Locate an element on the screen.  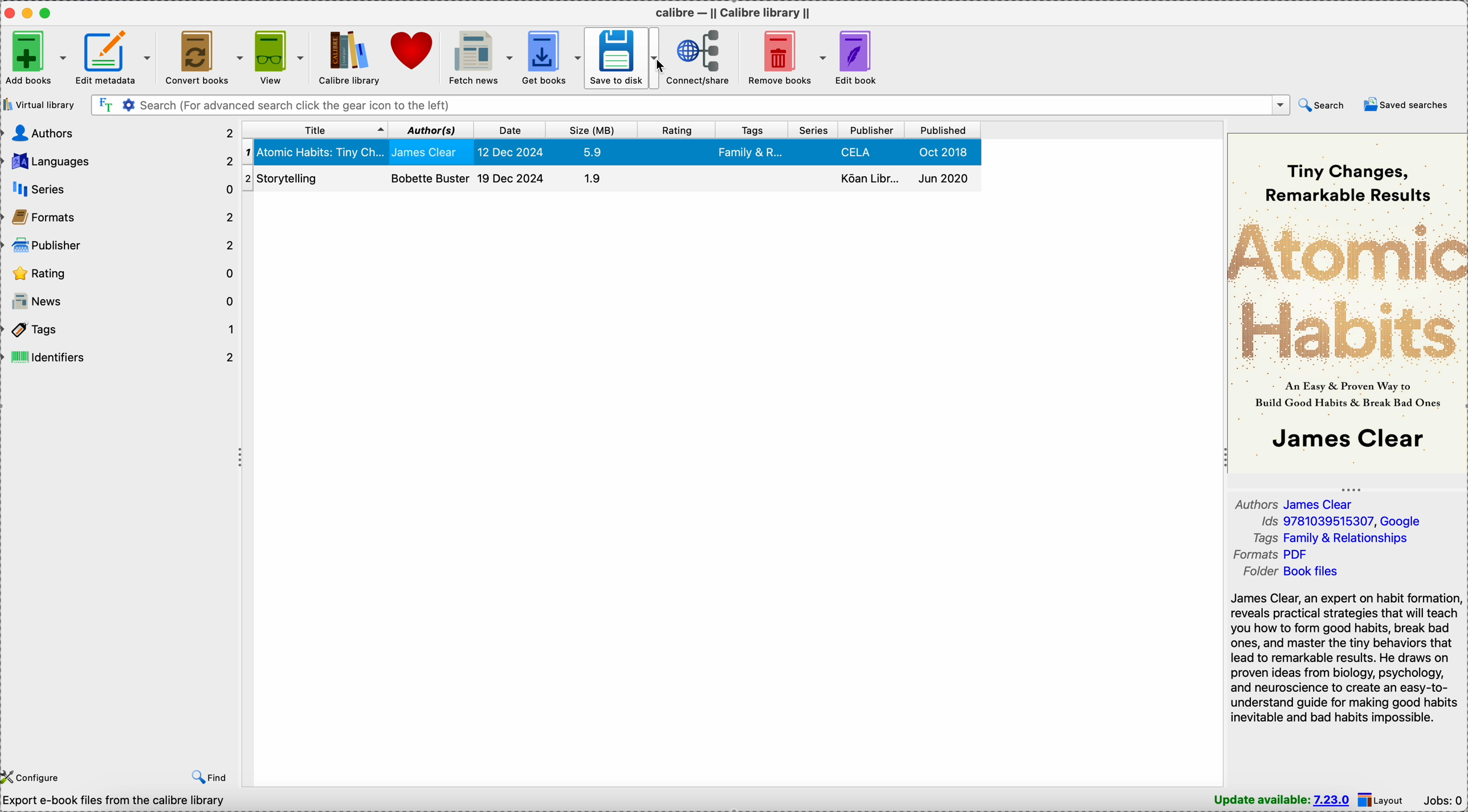
get books is located at coordinates (549, 56).